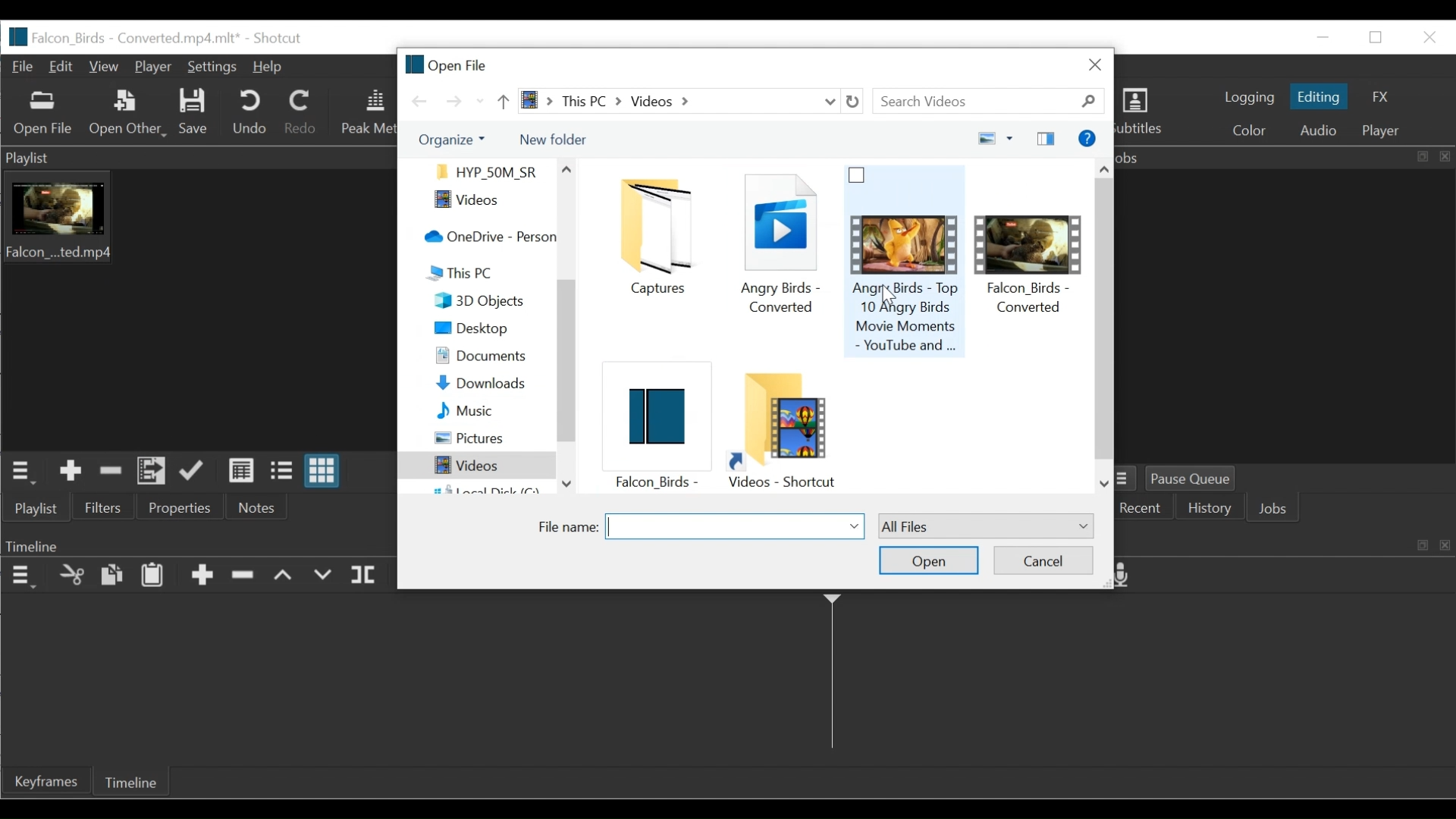  What do you see at coordinates (565, 527) in the screenshot?
I see `File name` at bounding box center [565, 527].